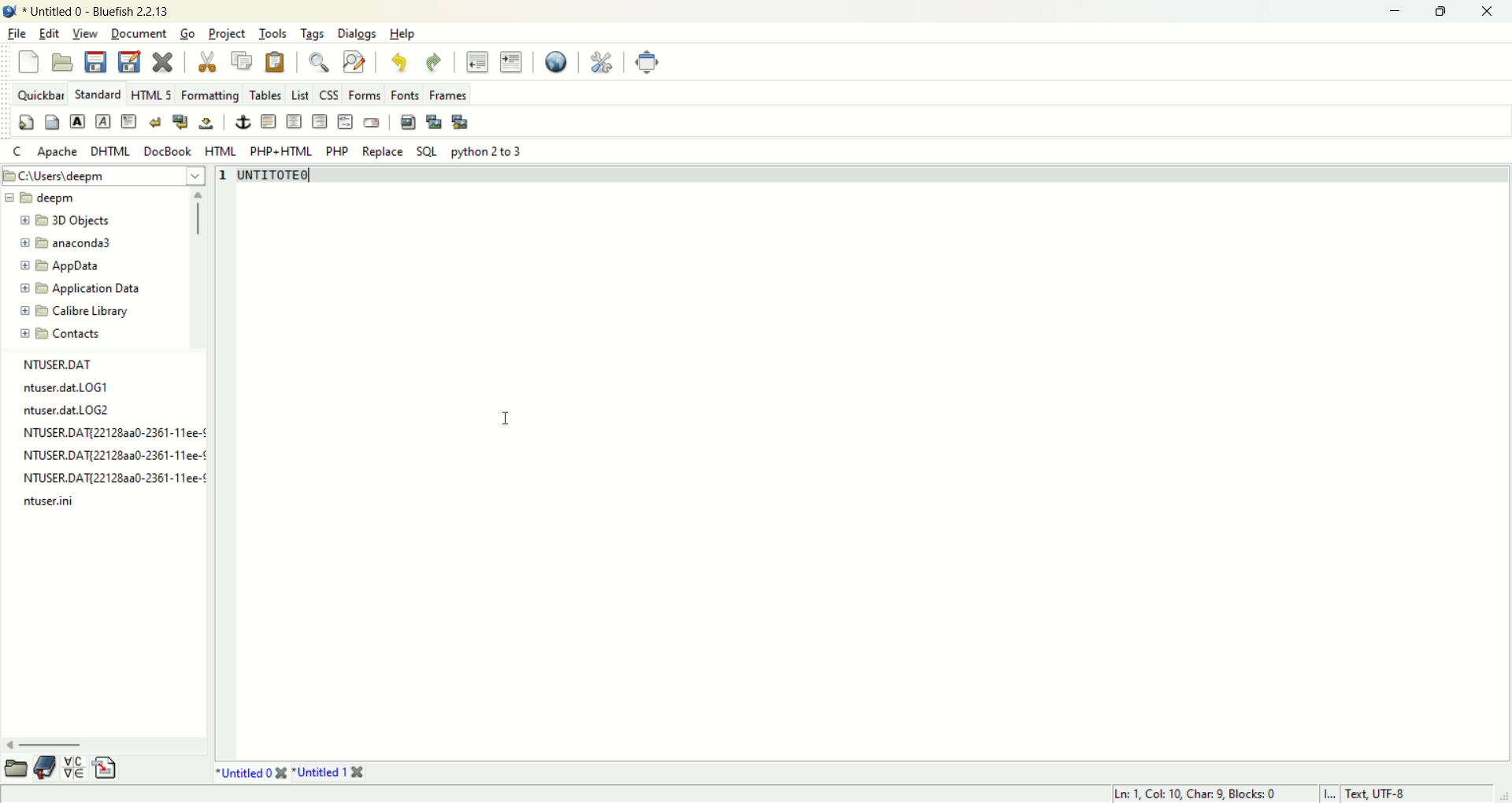 This screenshot has width=1512, height=803. What do you see at coordinates (187, 34) in the screenshot?
I see `go` at bounding box center [187, 34].